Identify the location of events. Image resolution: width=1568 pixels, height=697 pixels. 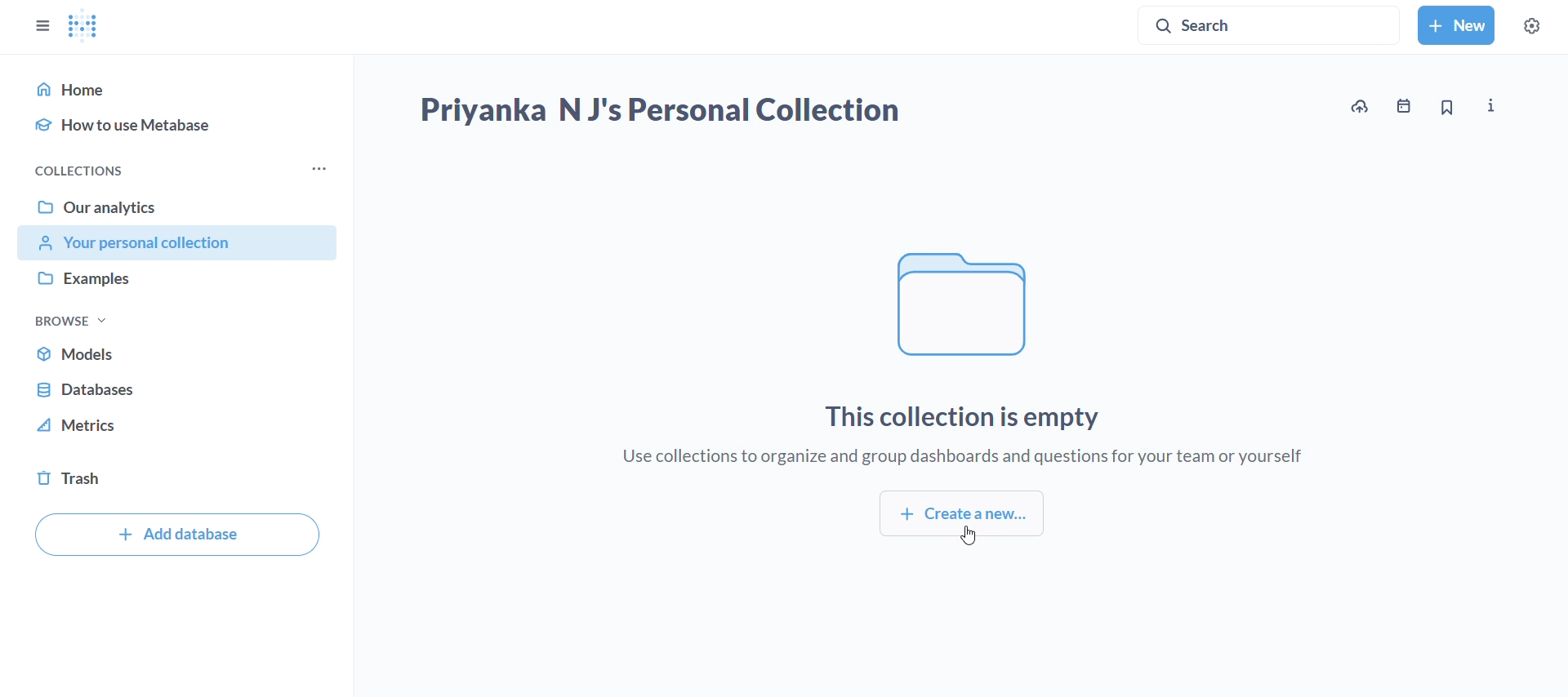
(1406, 109).